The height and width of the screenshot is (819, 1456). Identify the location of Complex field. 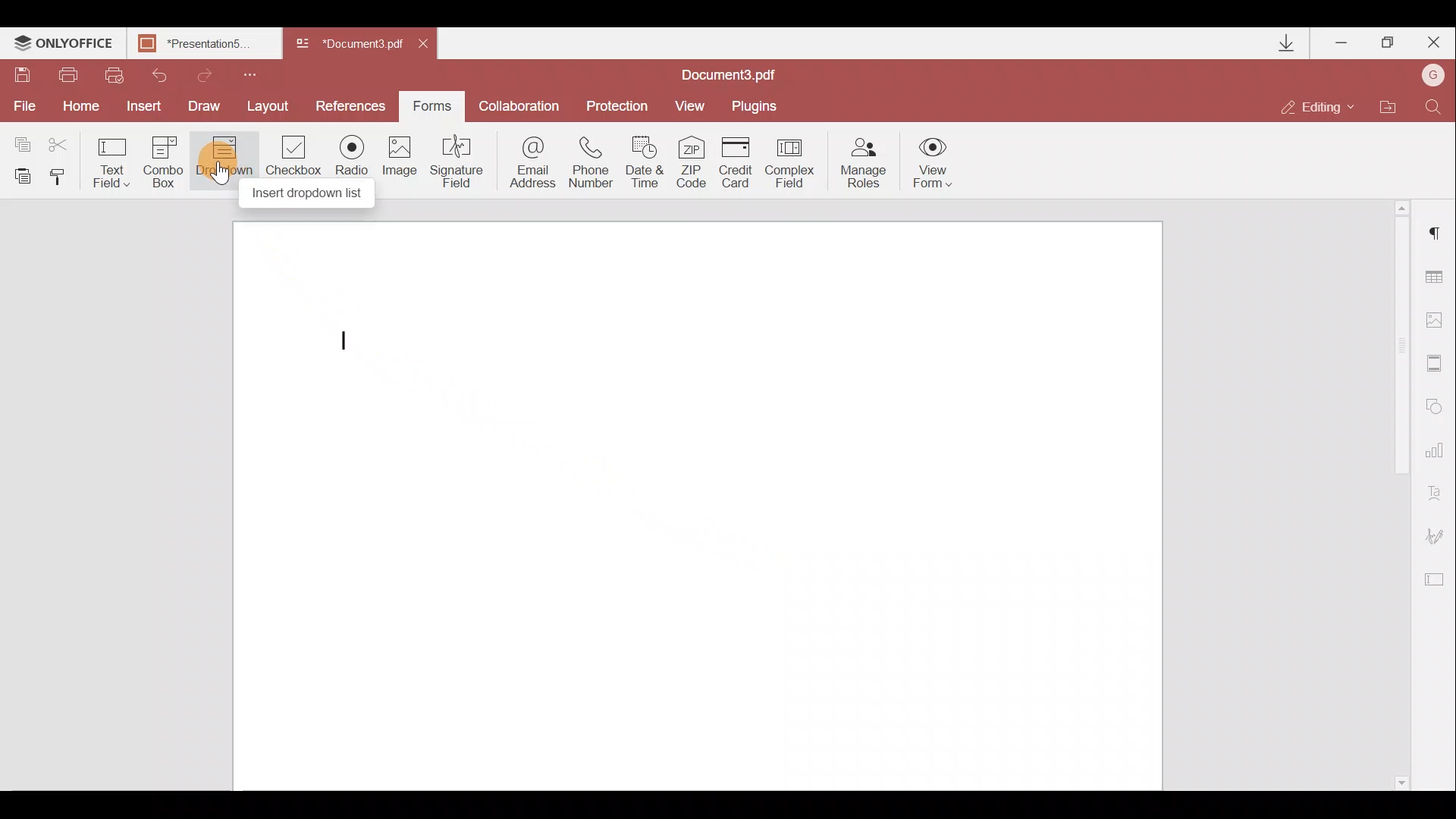
(791, 162).